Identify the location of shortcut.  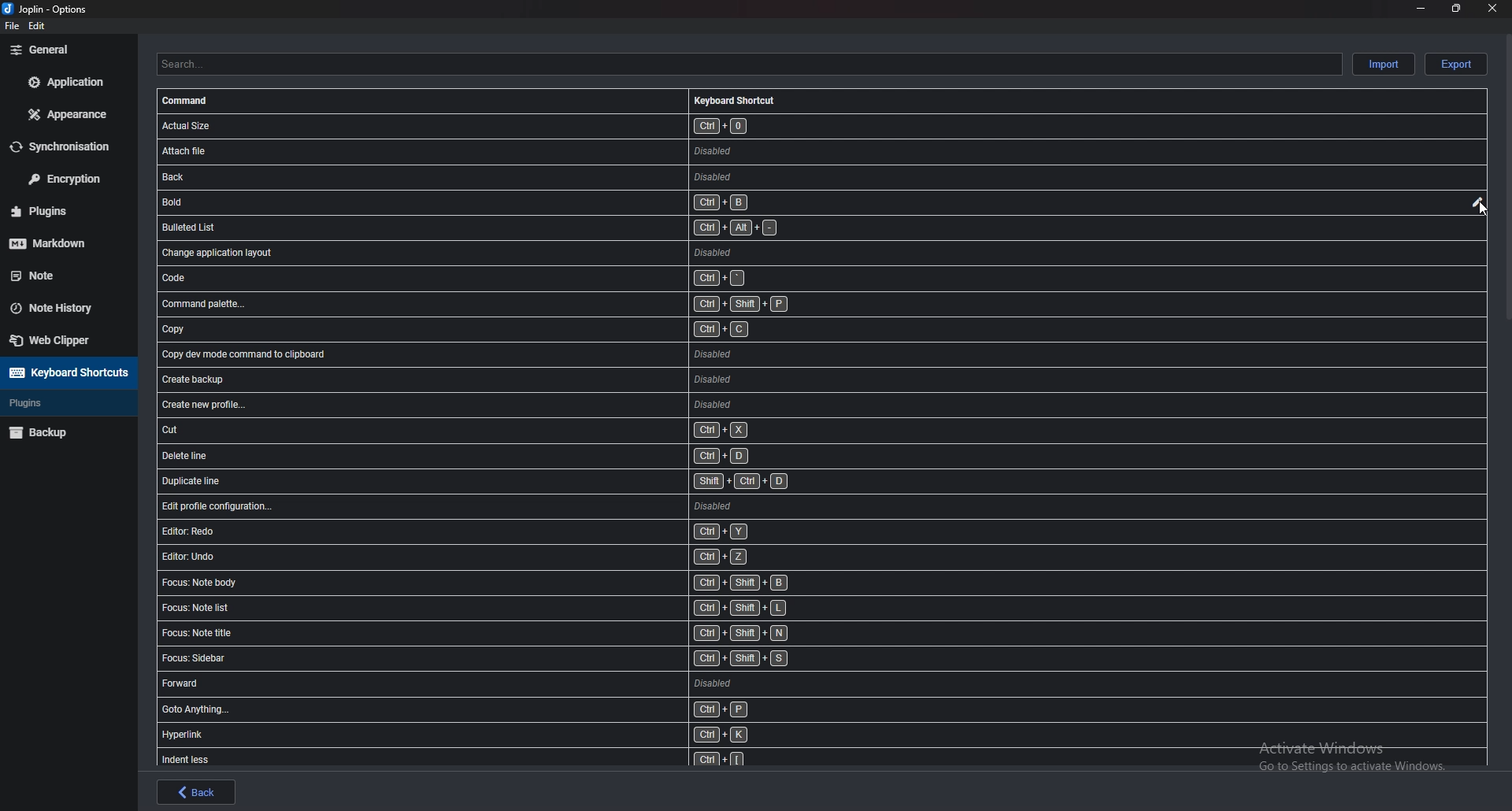
(536, 431).